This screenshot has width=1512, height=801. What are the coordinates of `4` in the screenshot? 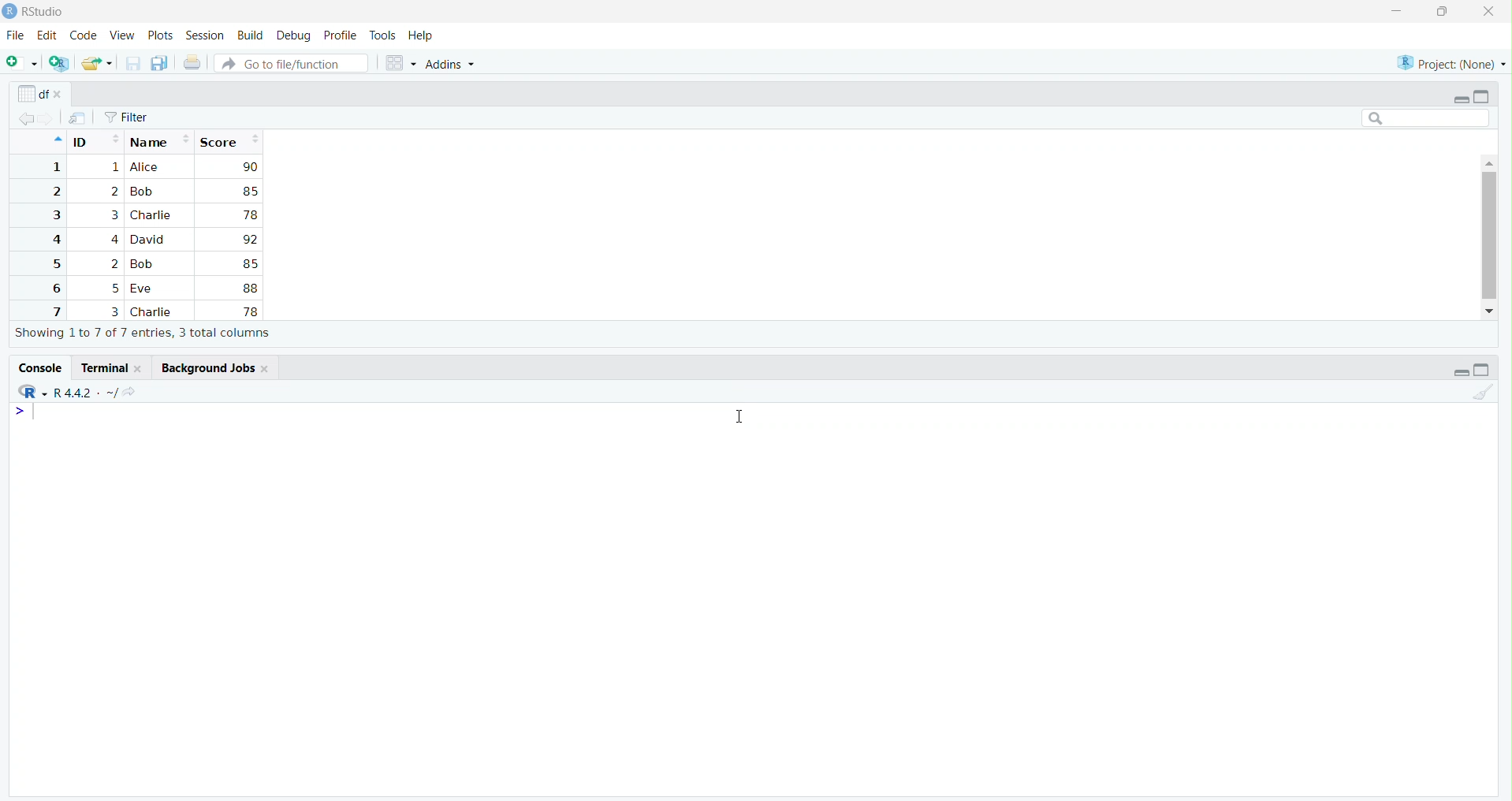 It's located at (54, 240).